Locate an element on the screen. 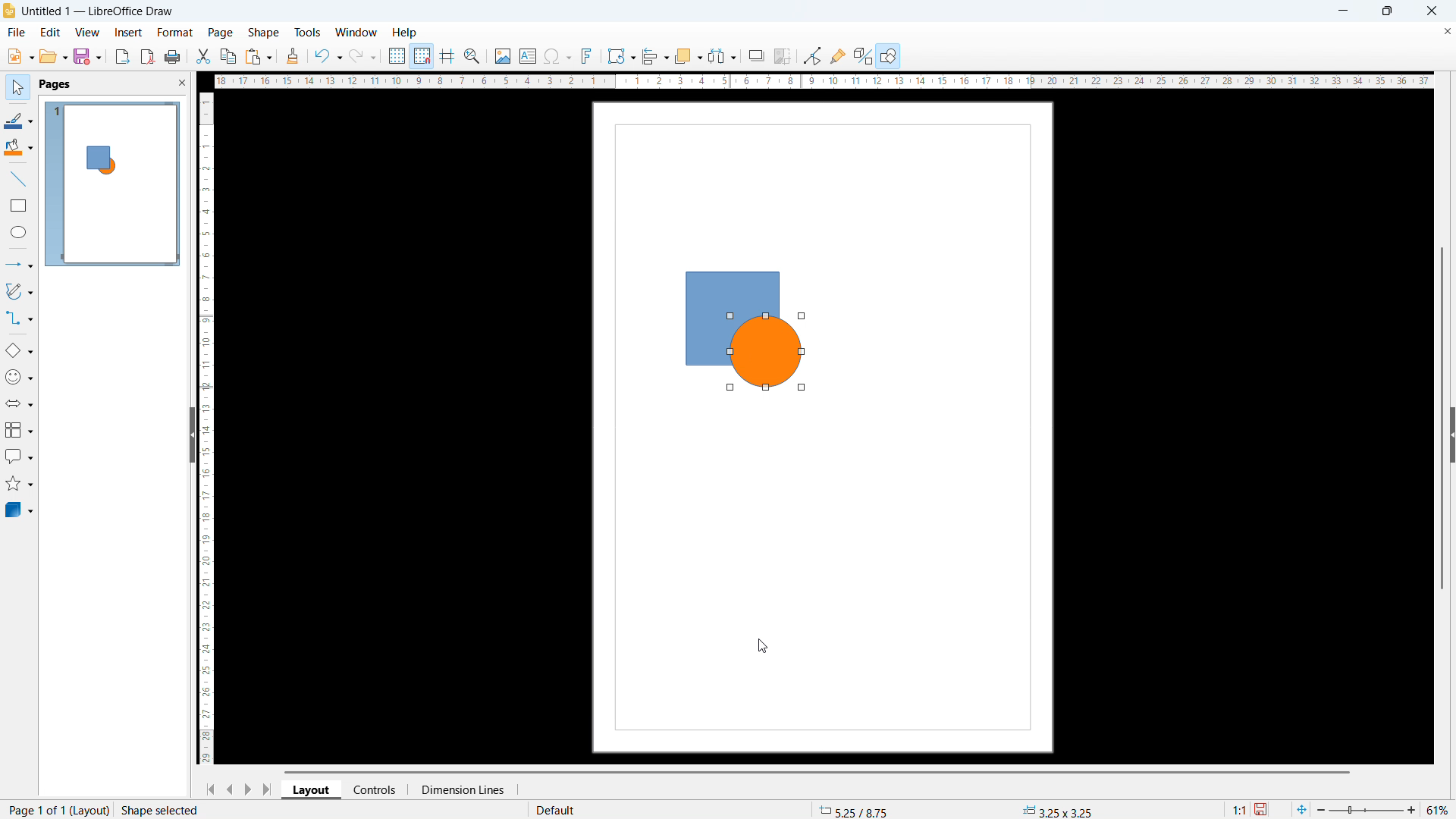  export is located at coordinates (123, 56).